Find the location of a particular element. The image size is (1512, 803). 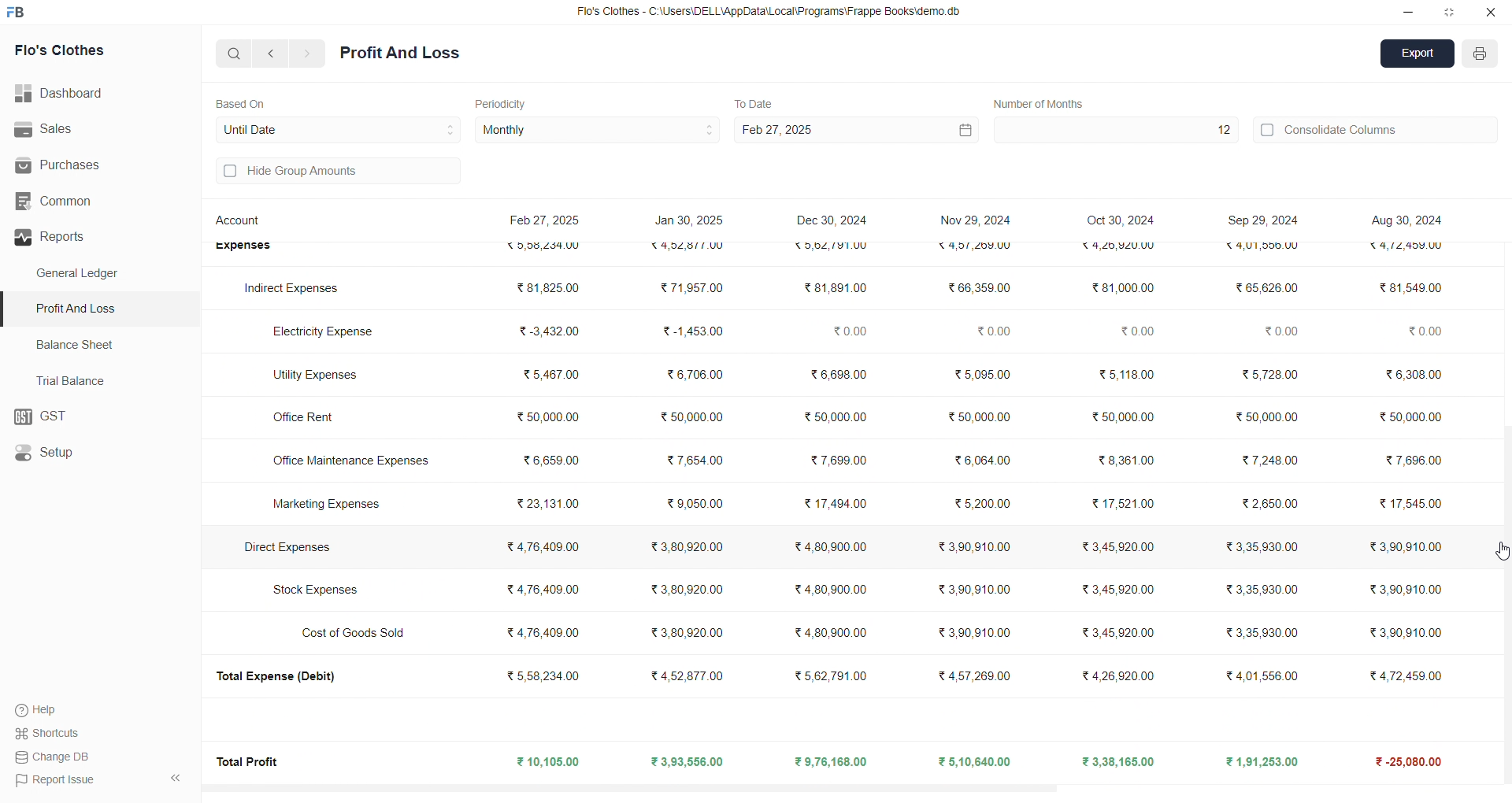

₹0.00 is located at coordinates (846, 329).